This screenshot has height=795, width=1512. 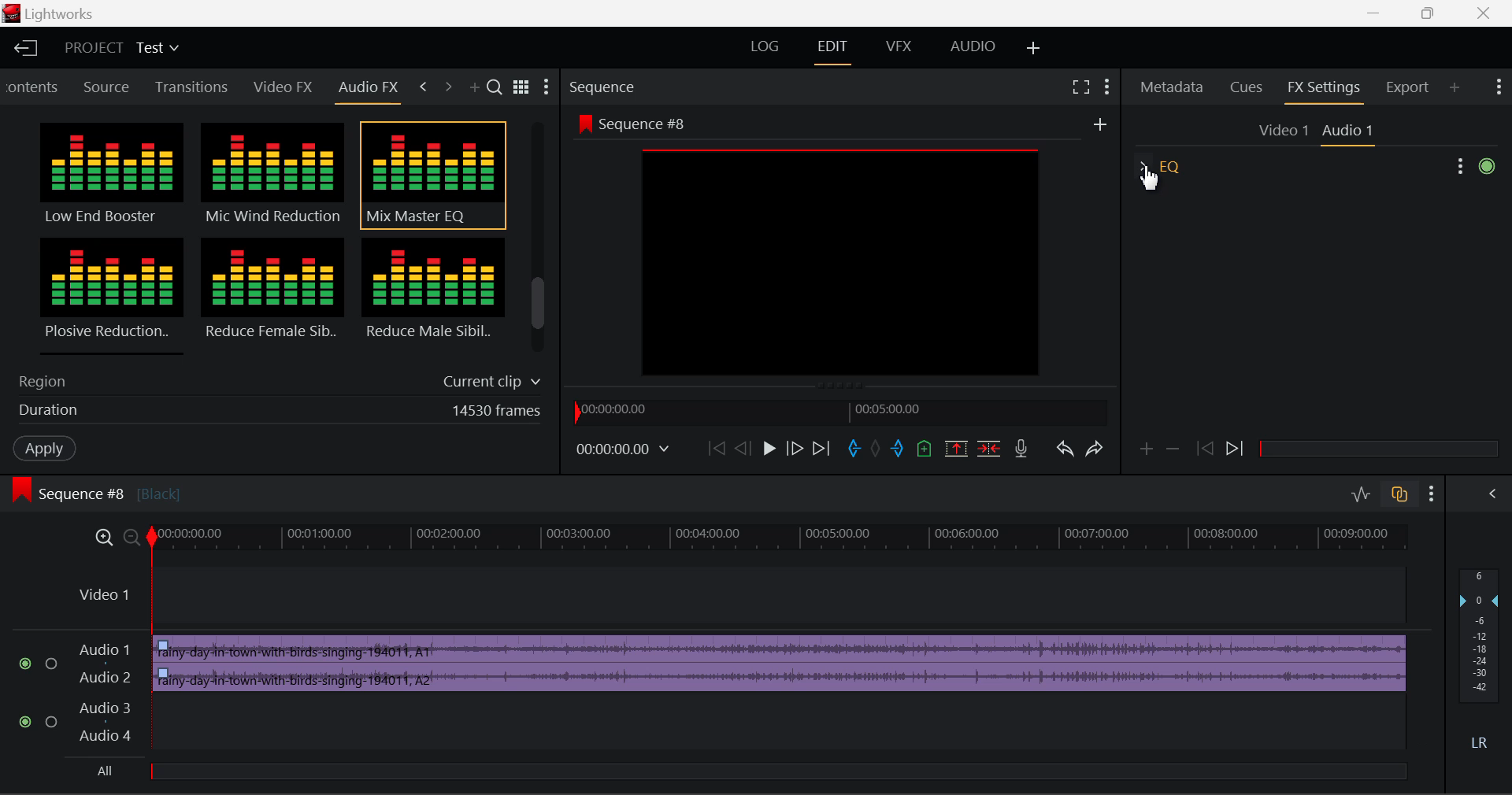 What do you see at coordinates (1477, 167) in the screenshot?
I see `Seetings` at bounding box center [1477, 167].